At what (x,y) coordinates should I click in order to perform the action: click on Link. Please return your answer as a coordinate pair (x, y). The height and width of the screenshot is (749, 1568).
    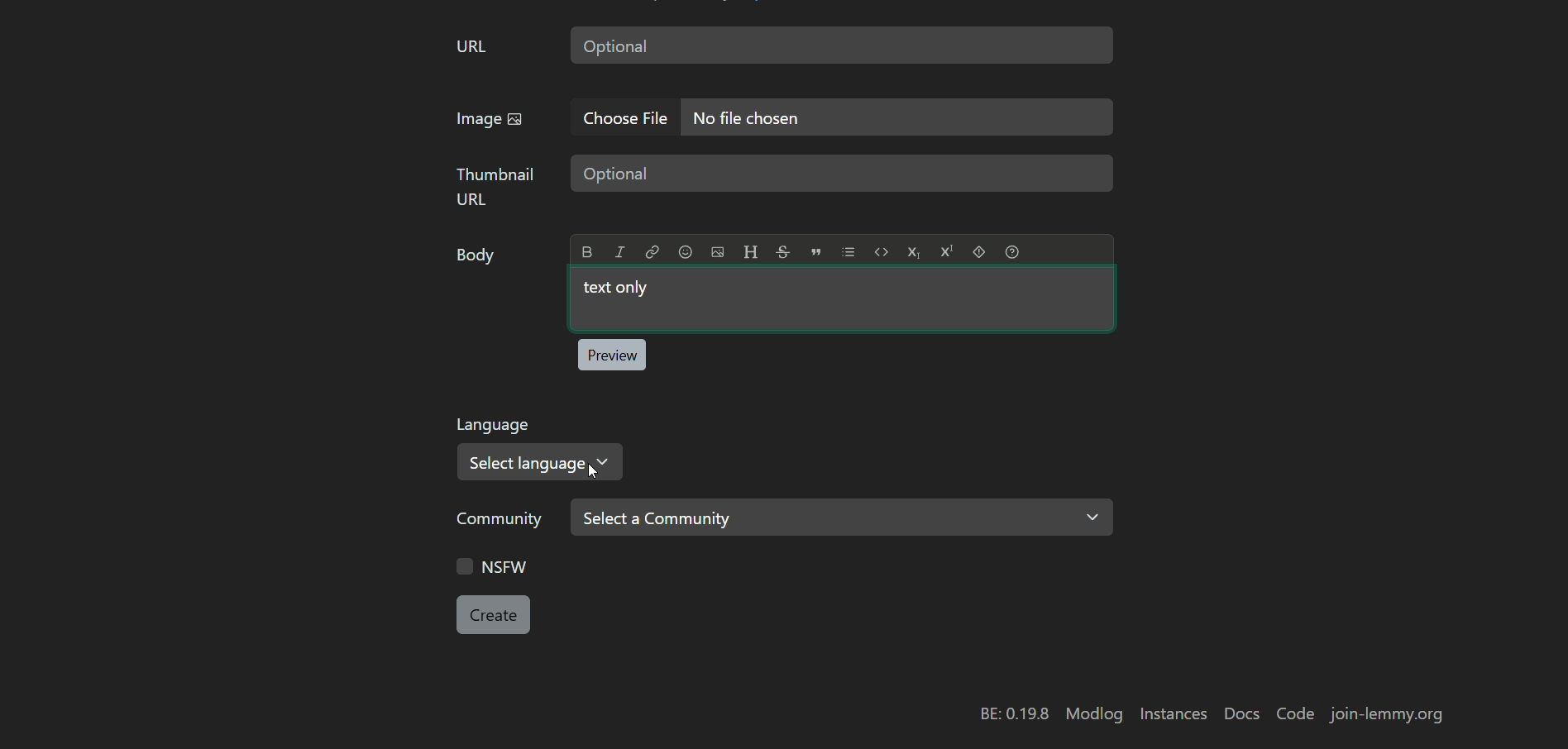
    Looking at the image, I should click on (652, 251).